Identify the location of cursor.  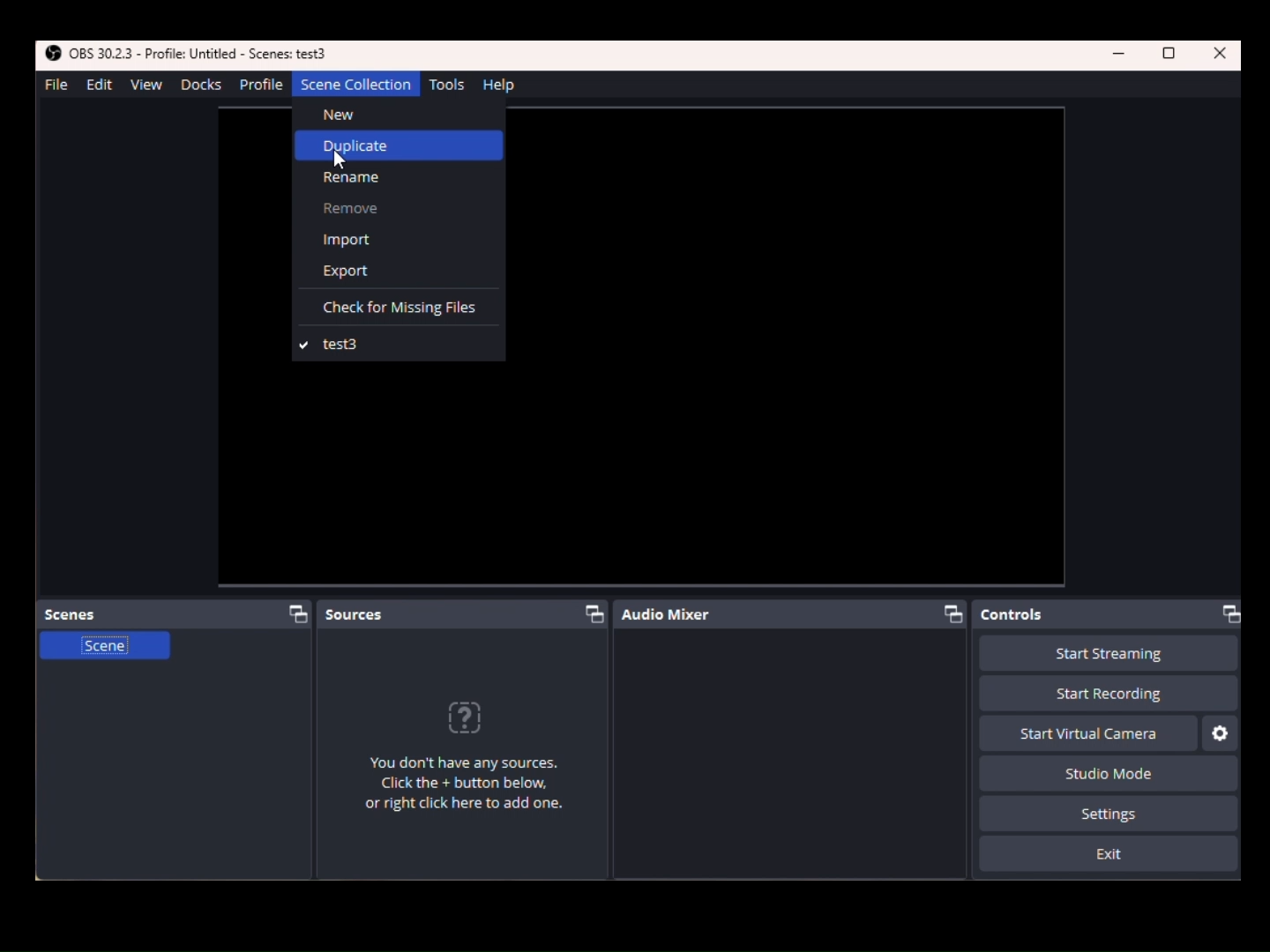
(340, 163).